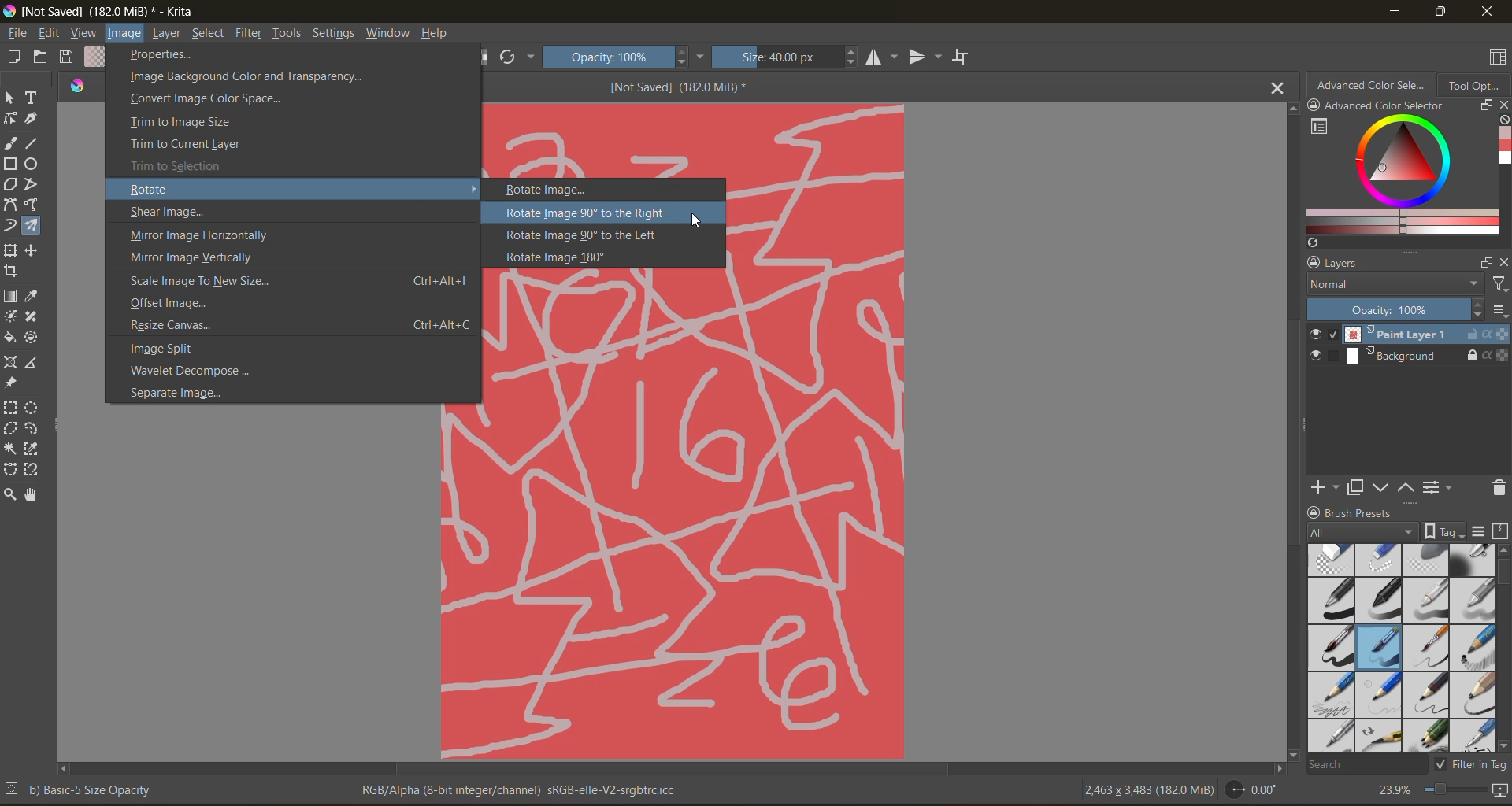 This screenshot has width=1512, height=806. I want to click on image, so click(124, 34).